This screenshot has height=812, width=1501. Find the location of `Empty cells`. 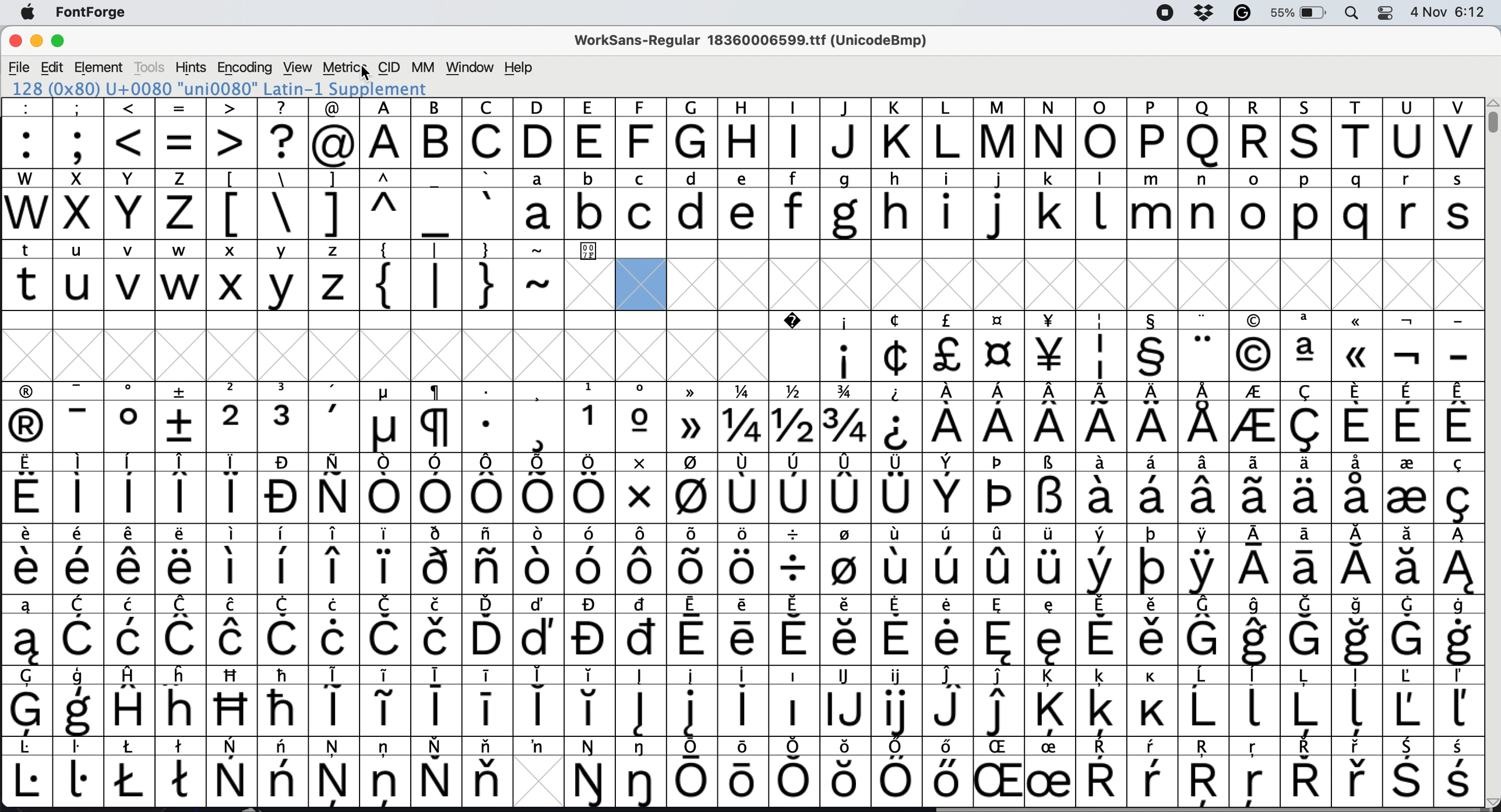

Empty cells is located at coordinates (844, 284).